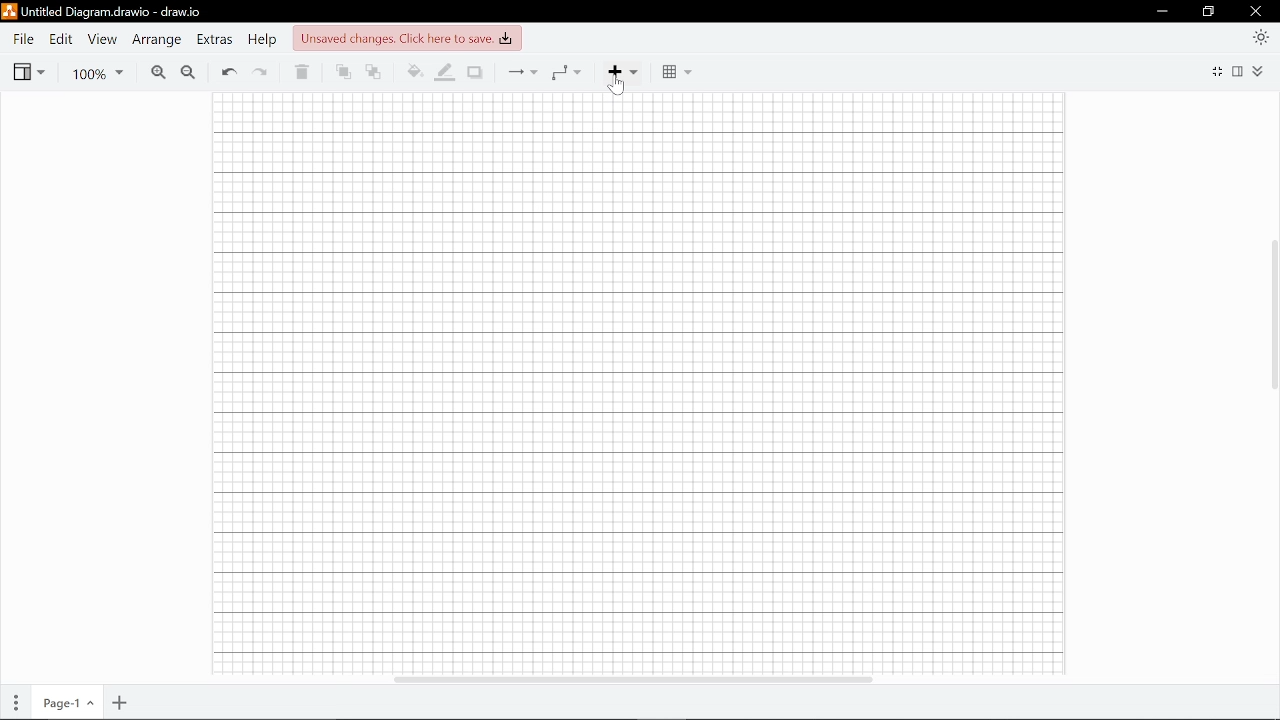  What do you see at coordinates (524, 71) in the screenshot?
I see `Connection` at bounding box center [524, 71].